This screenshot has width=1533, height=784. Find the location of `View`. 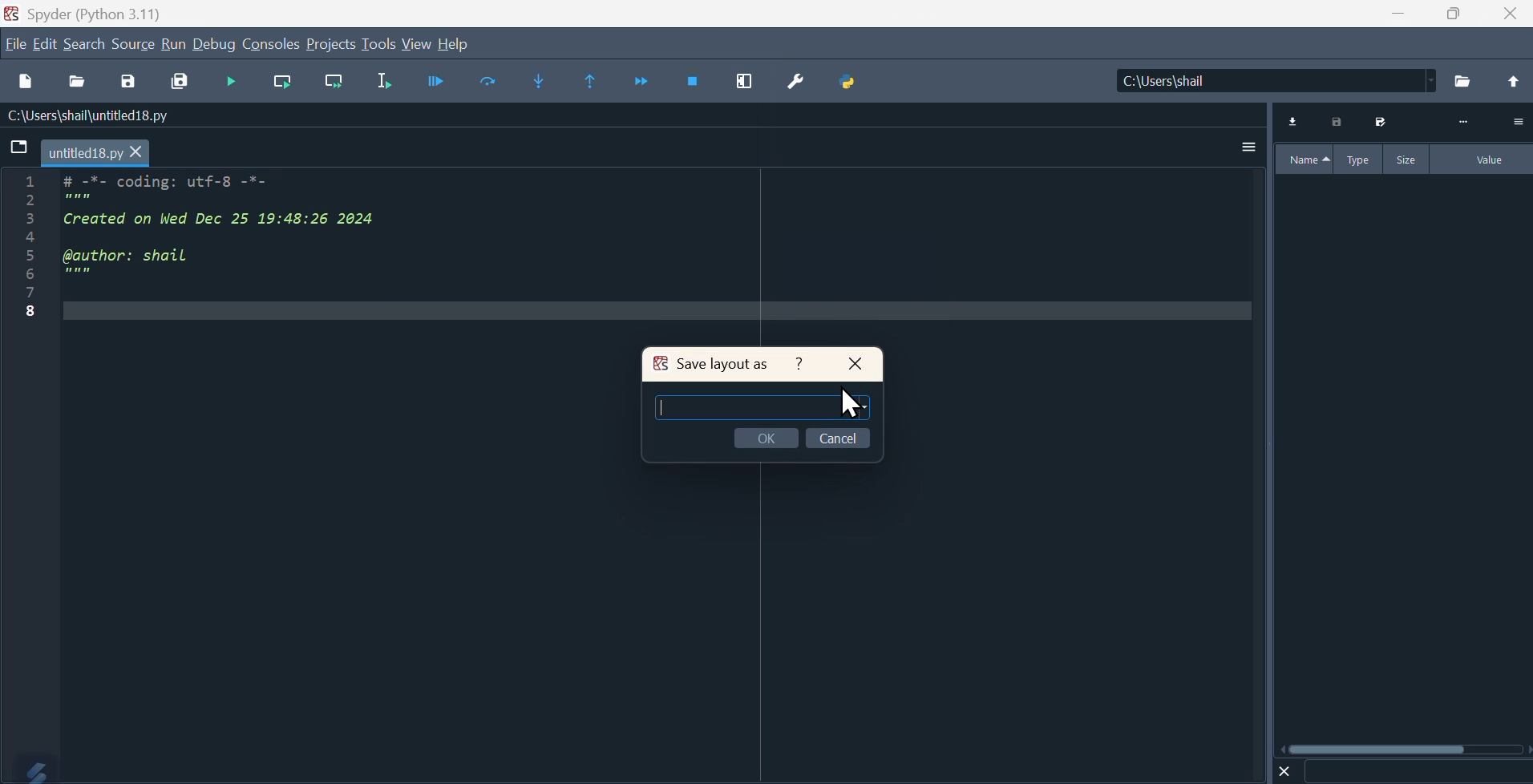

View is located at coordinates (418, 45).